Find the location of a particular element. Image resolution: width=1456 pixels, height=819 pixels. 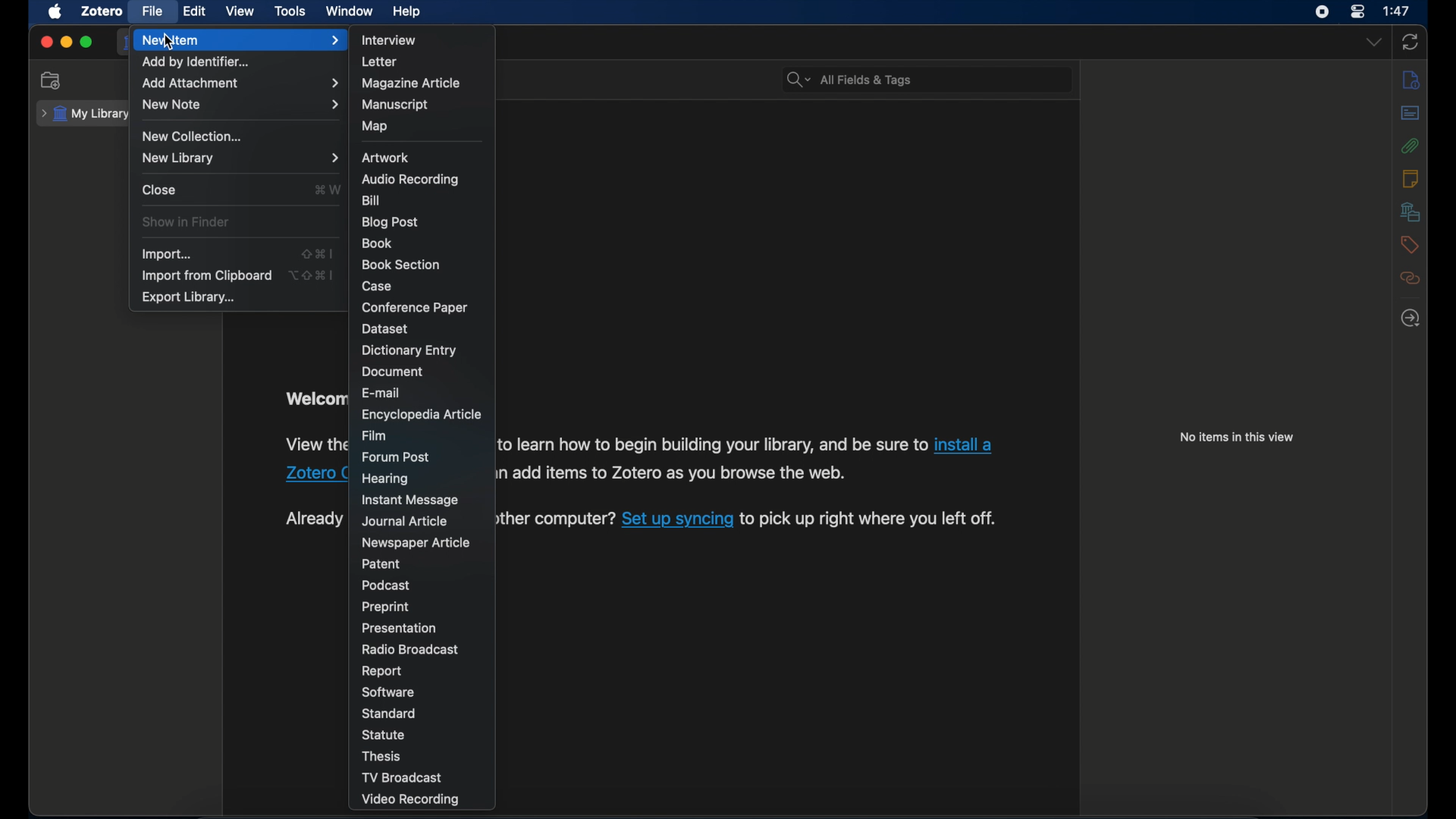

new collection is located at coordinates (195, 136).